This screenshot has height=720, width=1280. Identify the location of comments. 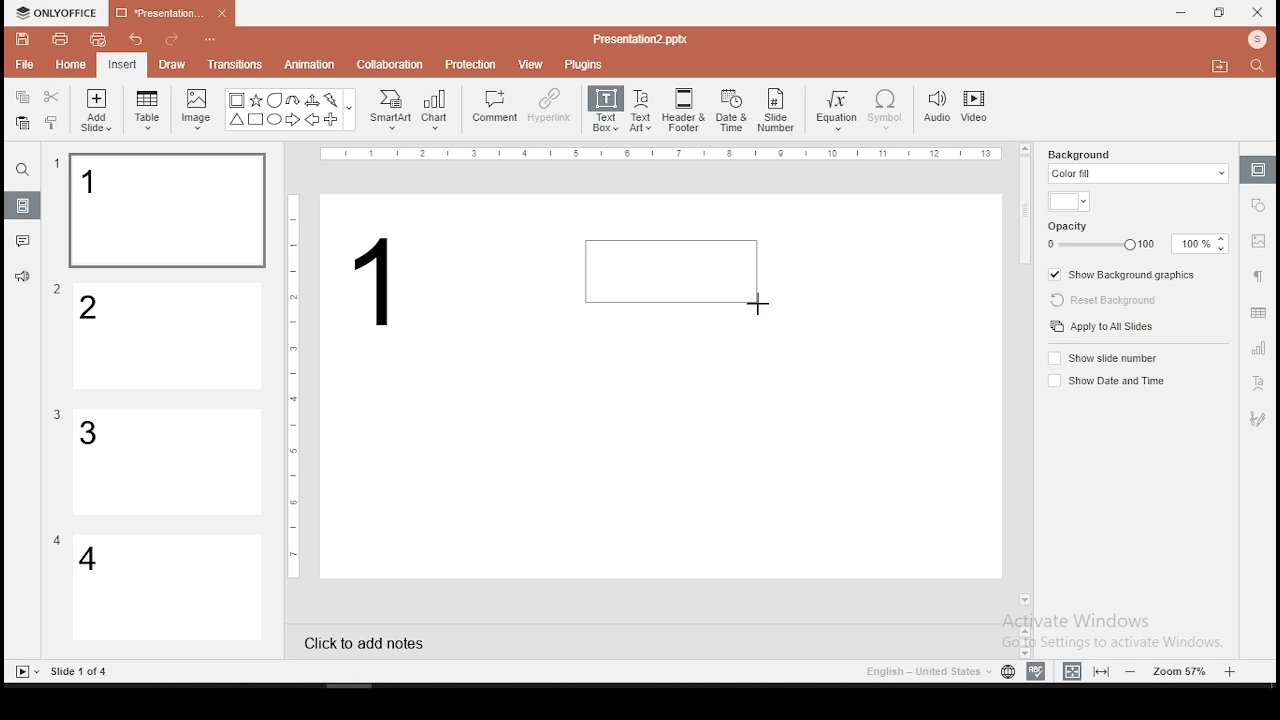
(23, 241).